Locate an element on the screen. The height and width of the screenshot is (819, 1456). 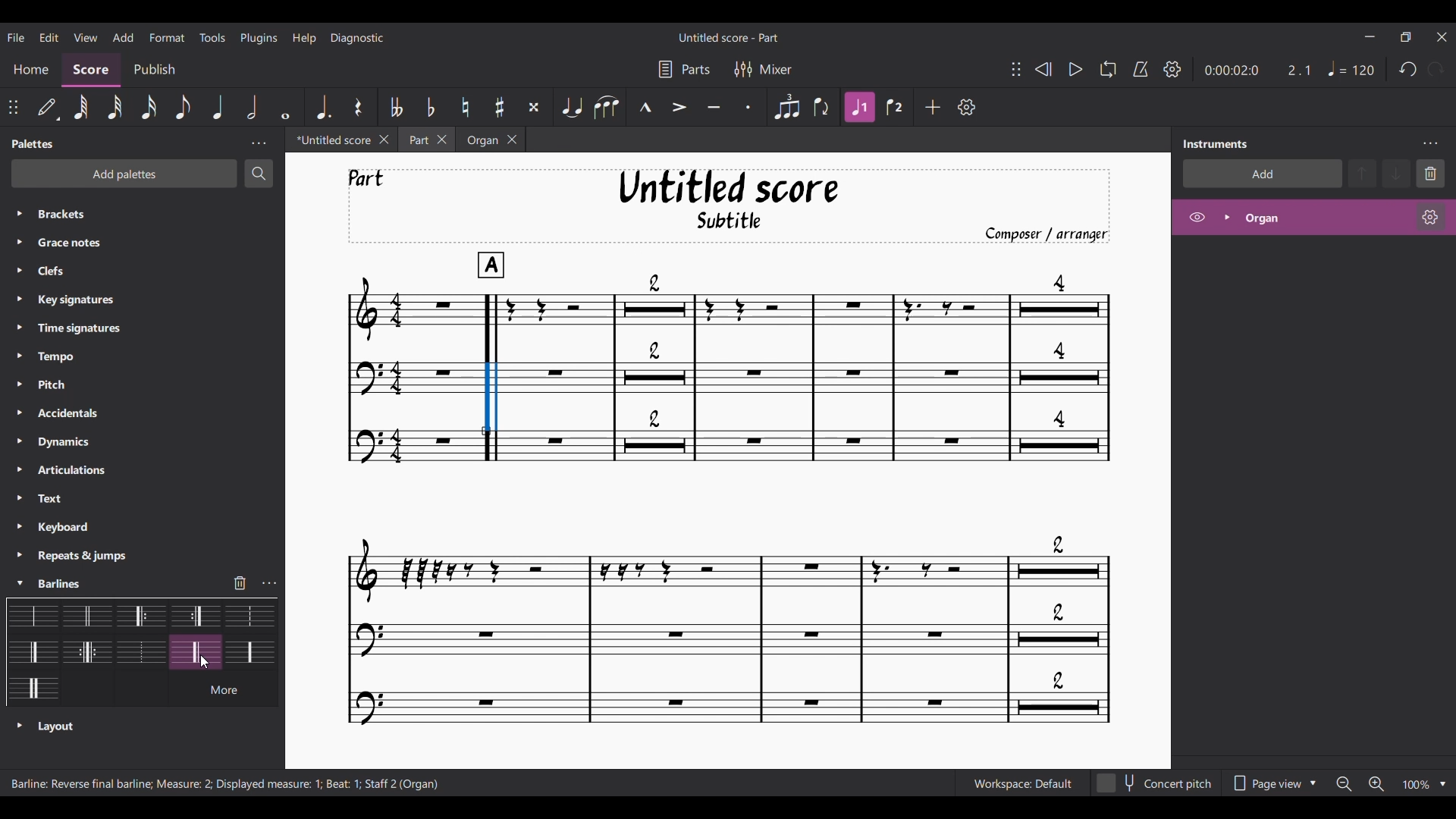
Organ tab is located at coordinates (480, 140).